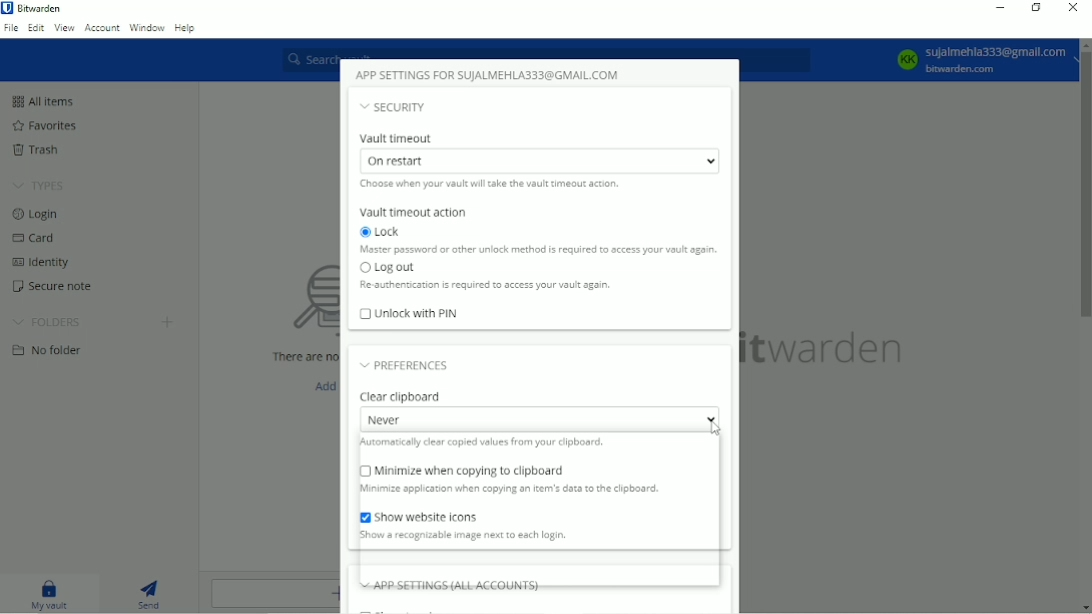 This screenshot has height=614, width=1092. I want to click on Lock, so click(540, 240).